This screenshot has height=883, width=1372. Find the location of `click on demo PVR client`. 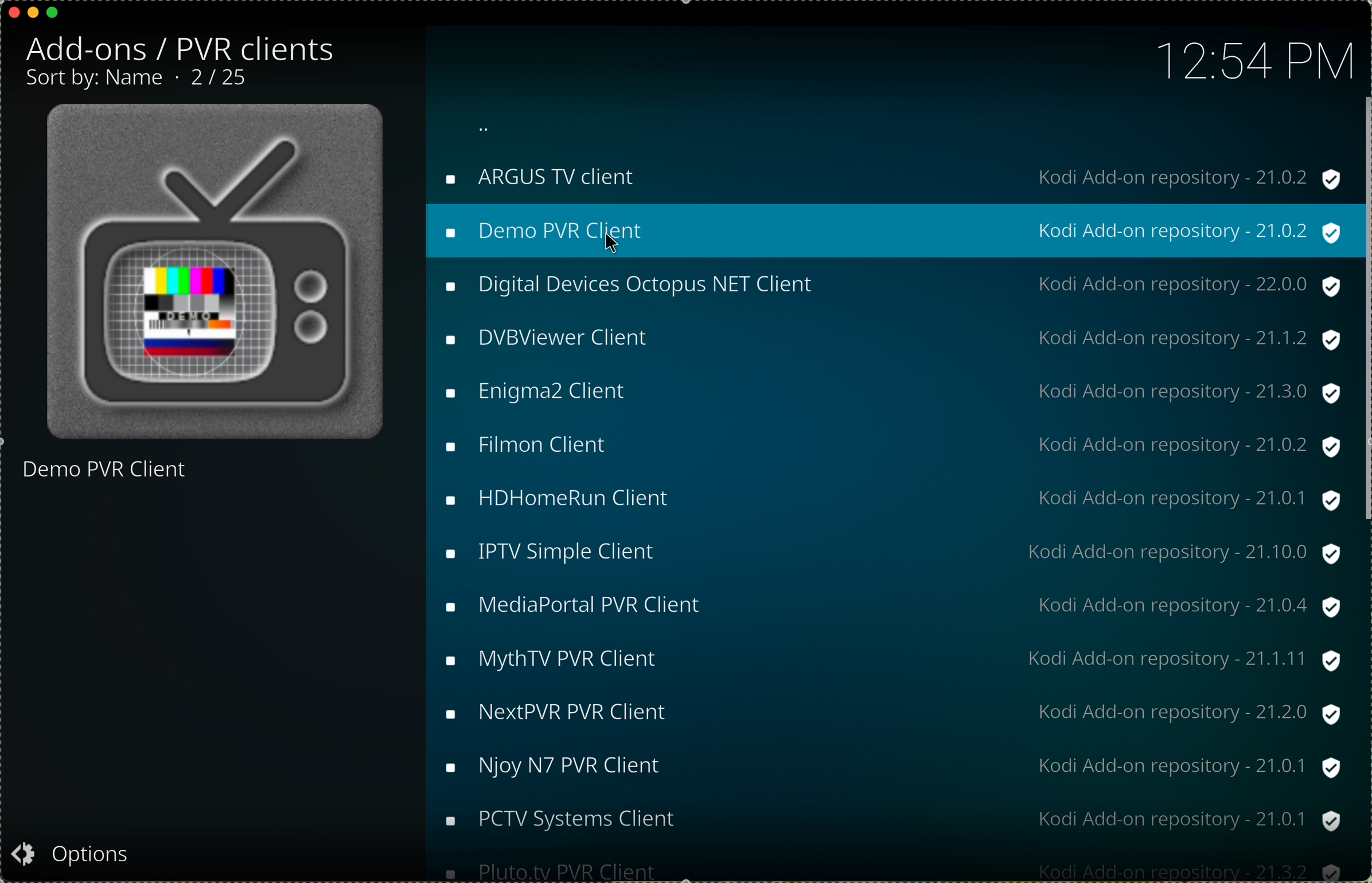

click on demo PVR client is located at coordinates (563, 233).